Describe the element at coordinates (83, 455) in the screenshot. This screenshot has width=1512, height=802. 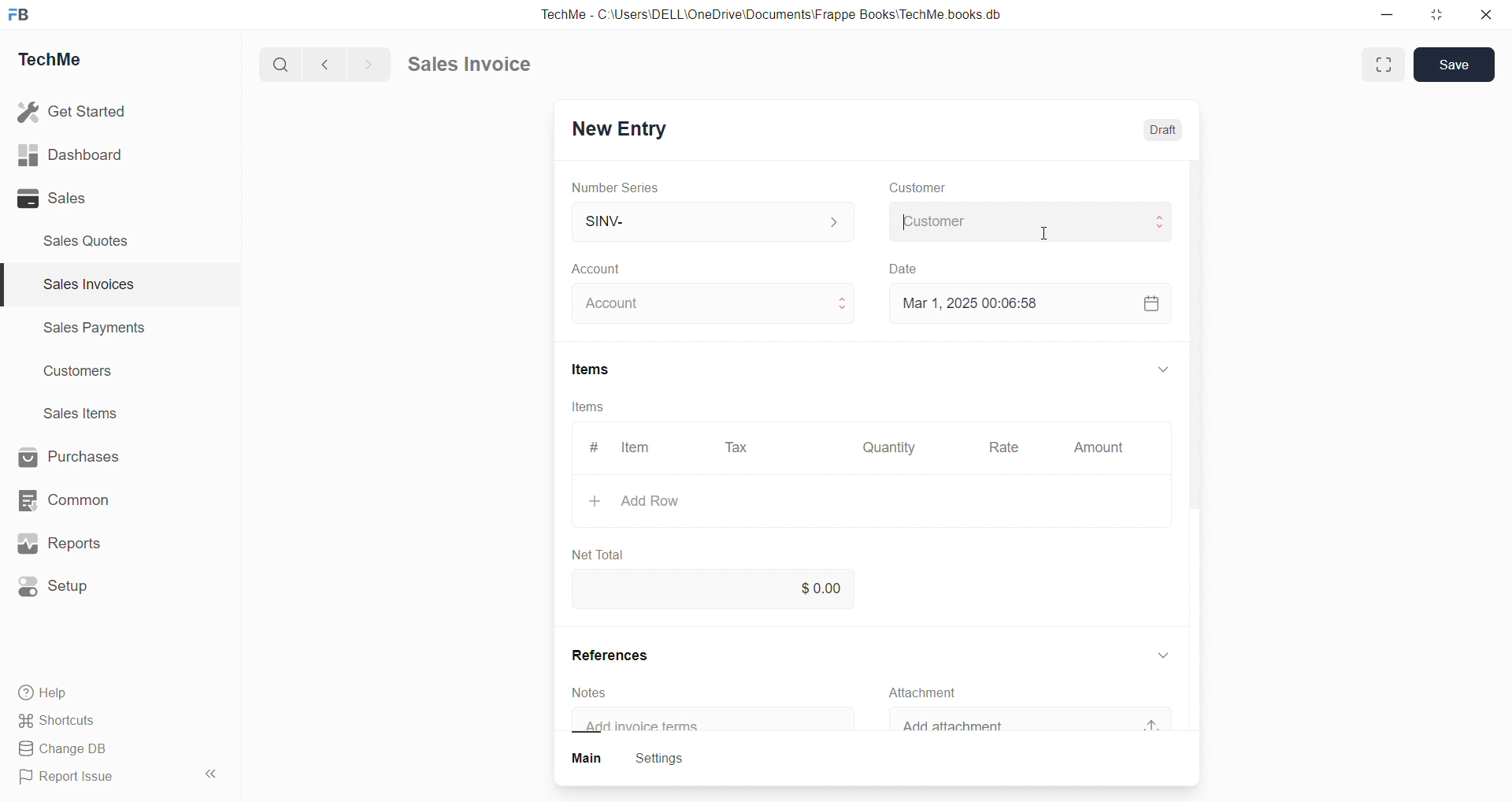
I see `Purchases` at that location.